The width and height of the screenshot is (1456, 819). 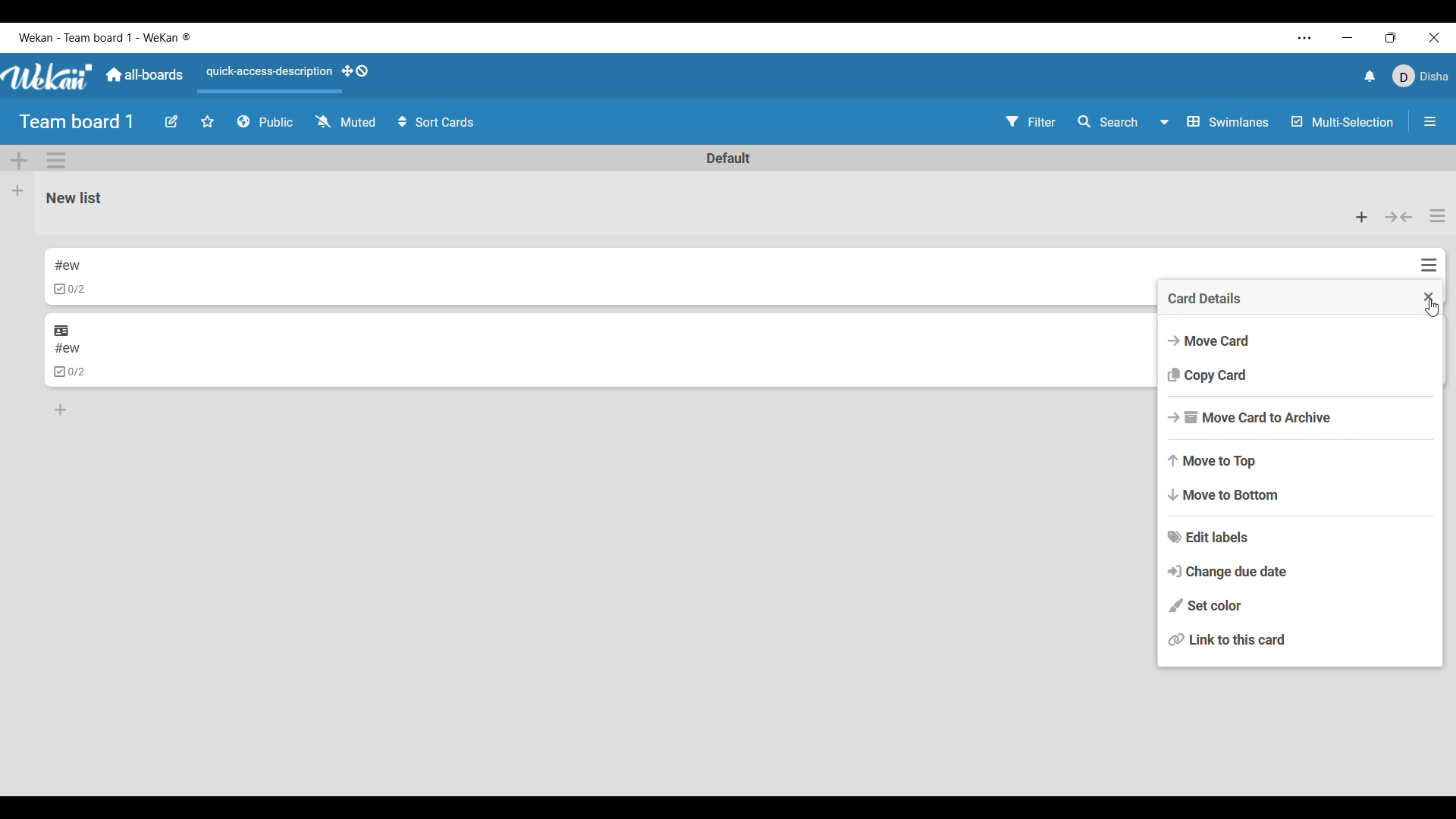 I want to click on Board title, so click(x=77, y=122).